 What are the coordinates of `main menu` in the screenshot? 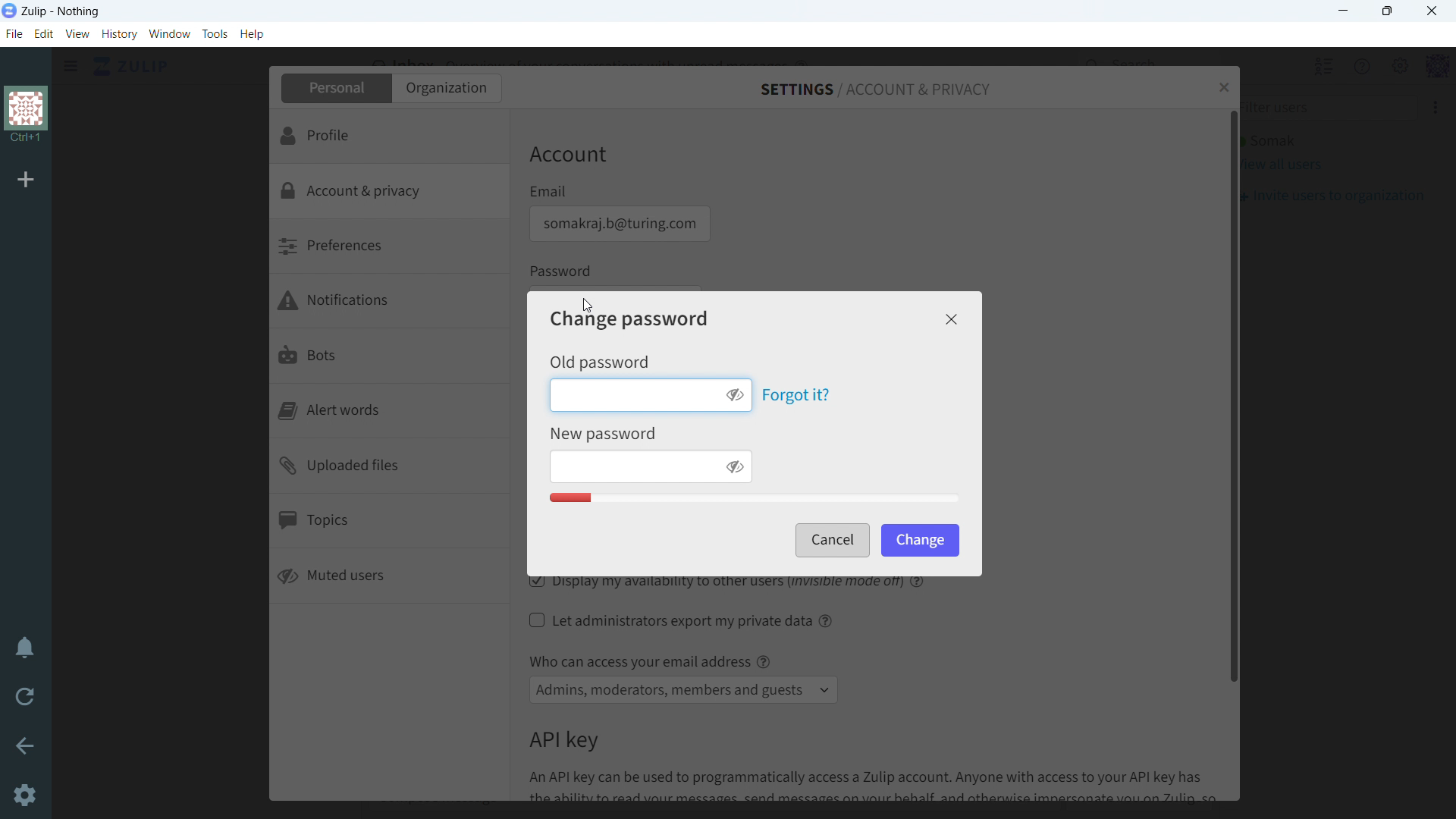 It's located at (1398, 67).